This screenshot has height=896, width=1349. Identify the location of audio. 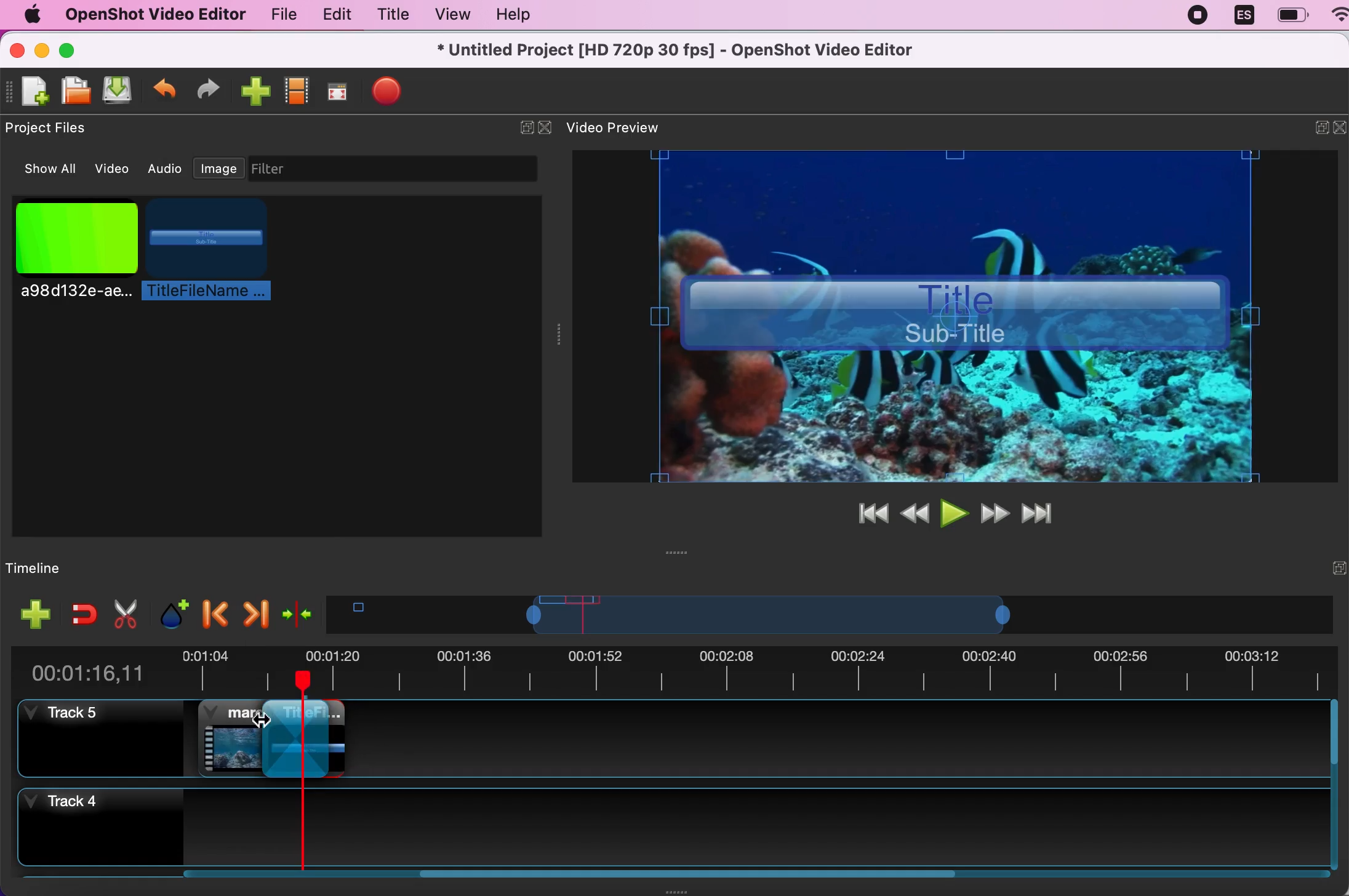
(166, 169).